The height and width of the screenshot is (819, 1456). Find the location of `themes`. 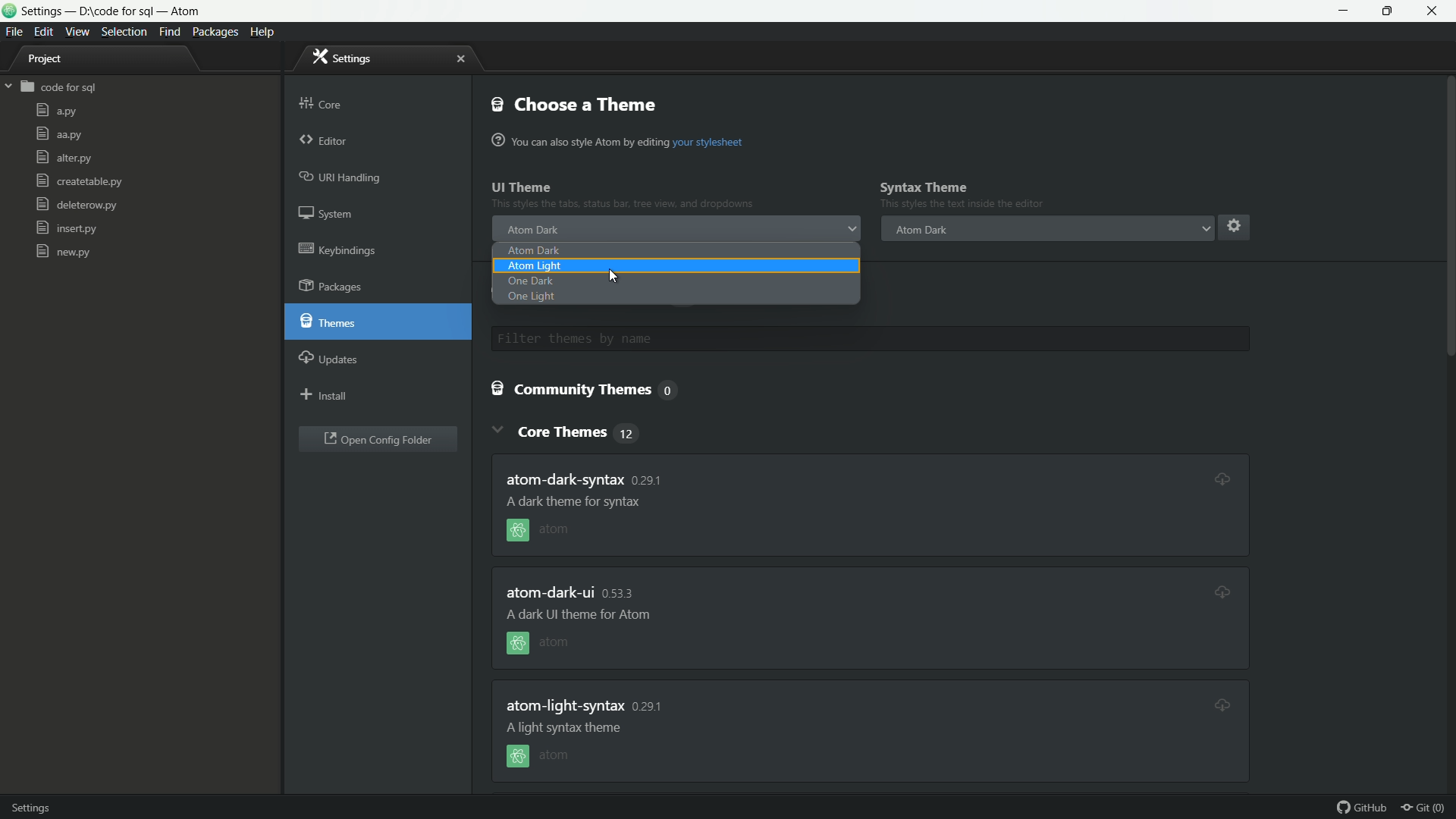

themes is located at coordinates (331, 322).